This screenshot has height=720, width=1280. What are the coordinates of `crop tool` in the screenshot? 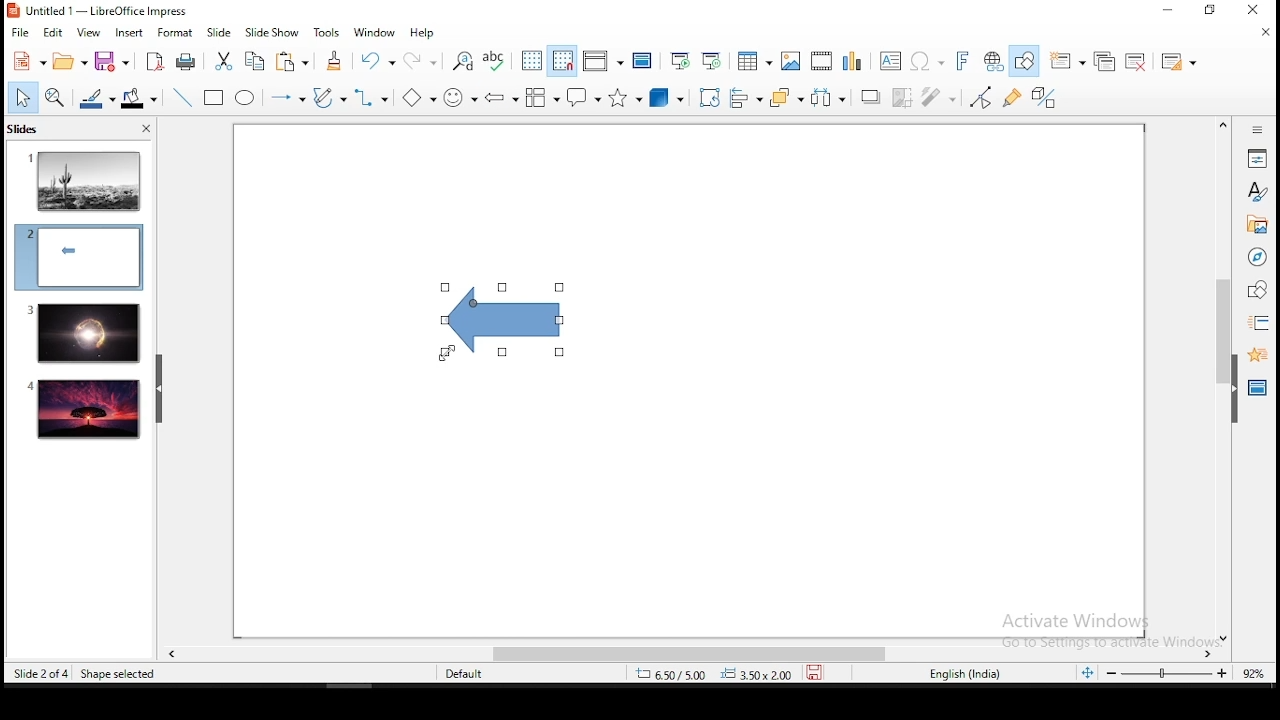 It's located at (710, 98).